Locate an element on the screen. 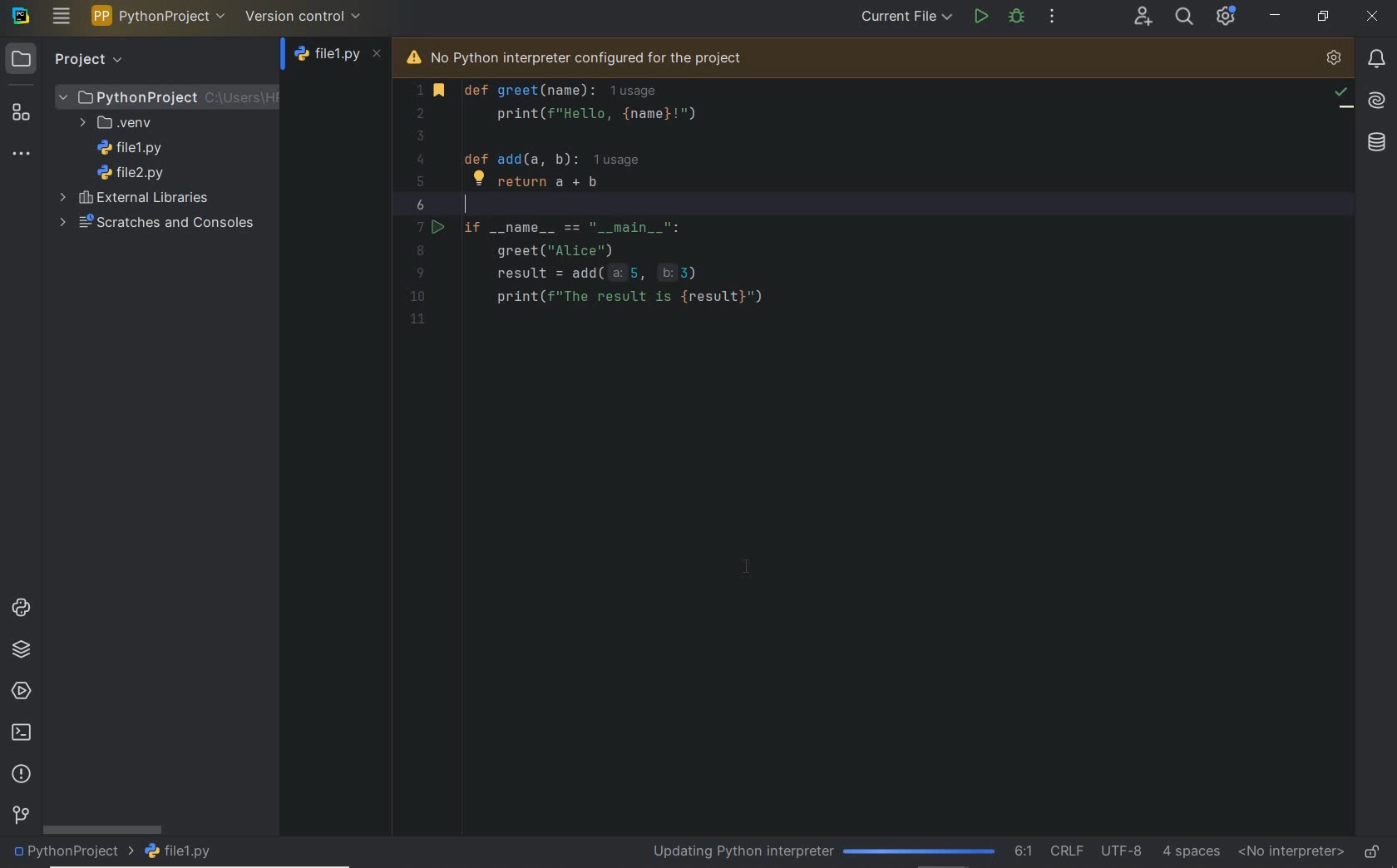  New Virtual Environment is located at coordinates (122, 124).